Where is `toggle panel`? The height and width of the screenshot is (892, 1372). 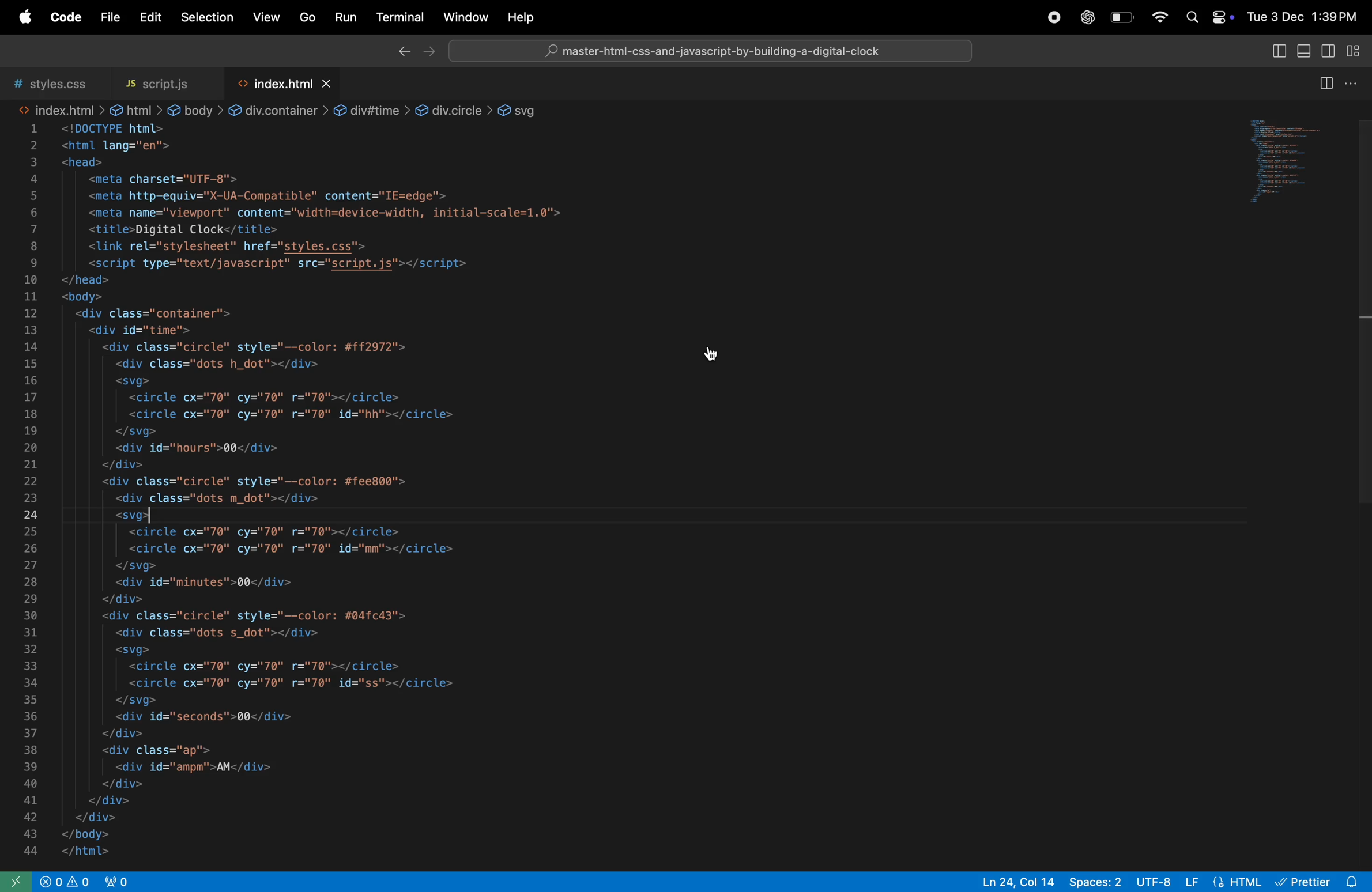
toggle panel is located at coordinates (1303, 52).